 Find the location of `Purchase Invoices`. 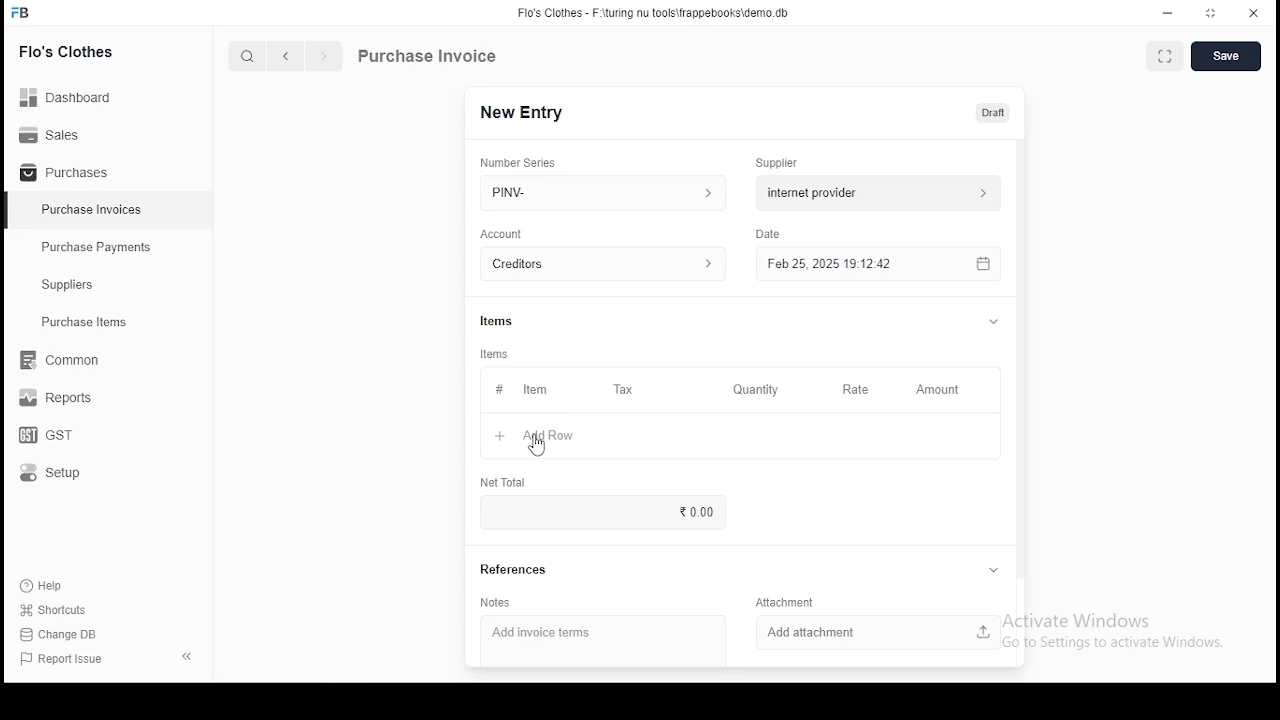

Purchase Invoices is located at coordinates (95, 210).